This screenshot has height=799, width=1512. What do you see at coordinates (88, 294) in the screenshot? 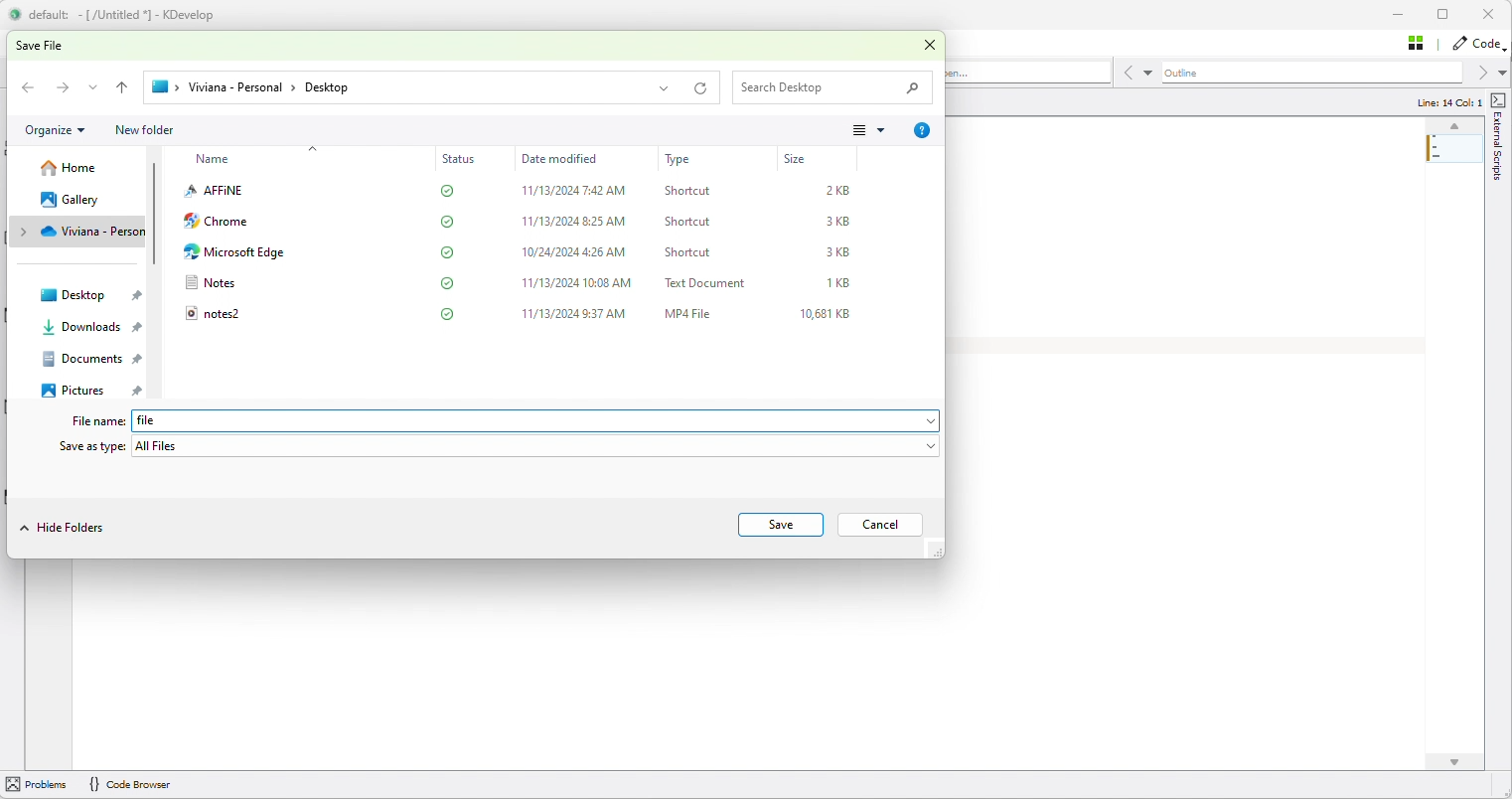
I see `Desktop` at bounding box center [88, 294].